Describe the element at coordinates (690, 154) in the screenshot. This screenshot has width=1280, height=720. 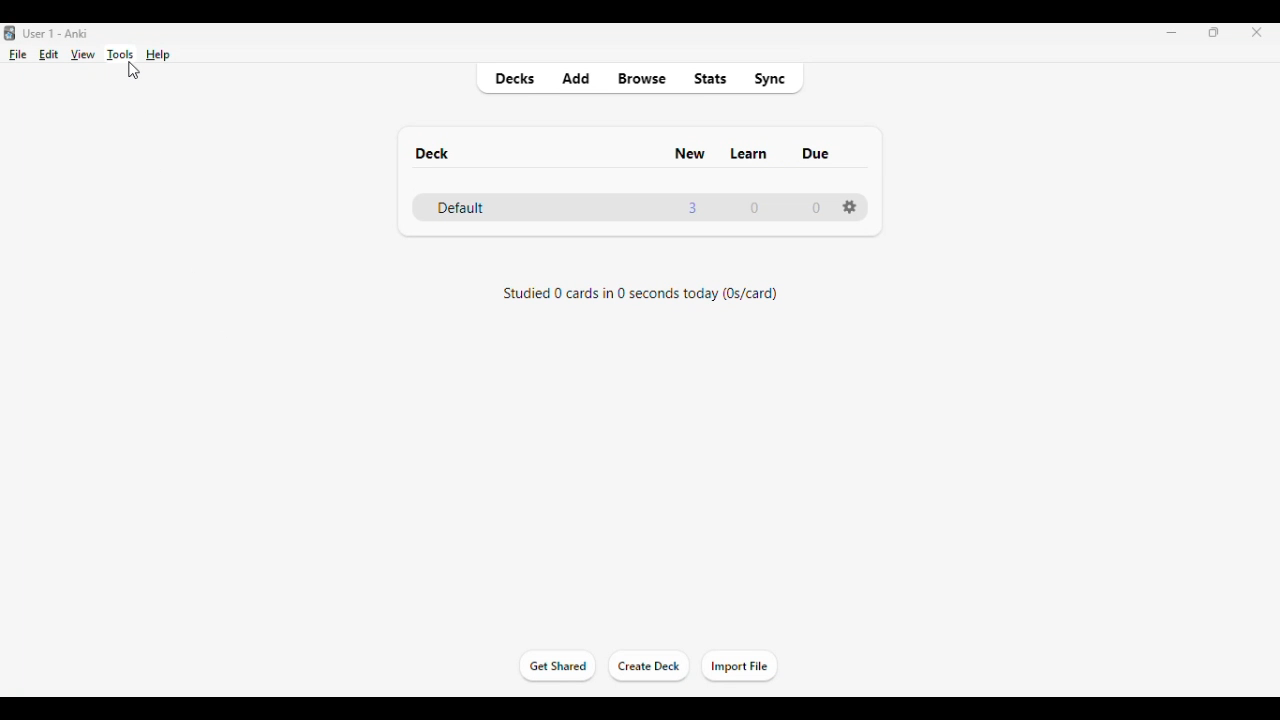
I see `new` at that location.